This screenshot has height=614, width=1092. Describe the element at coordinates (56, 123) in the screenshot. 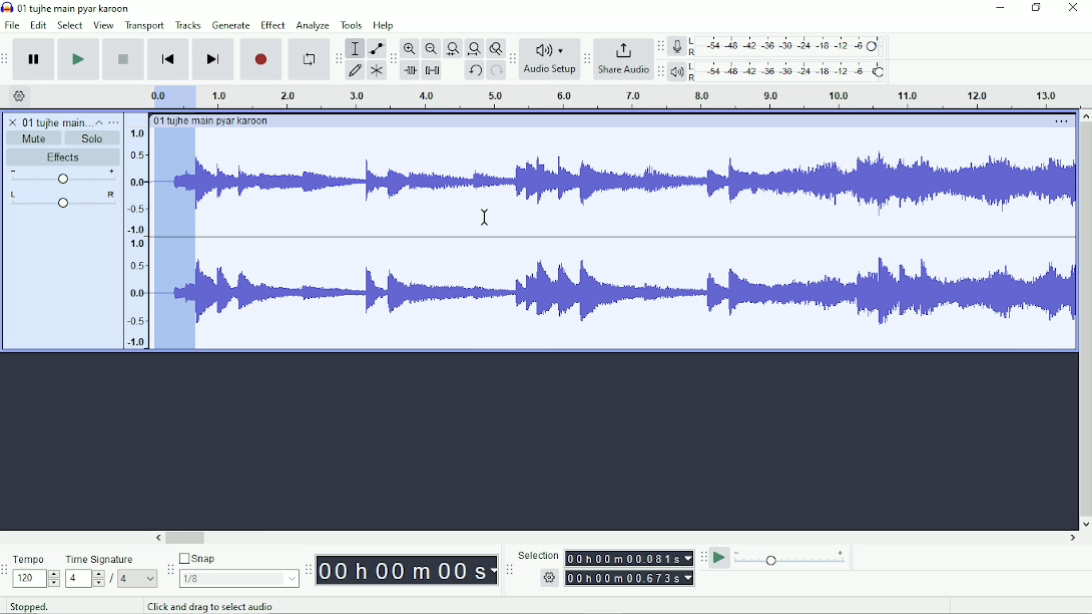

I see `01 tujhe main` at that location.